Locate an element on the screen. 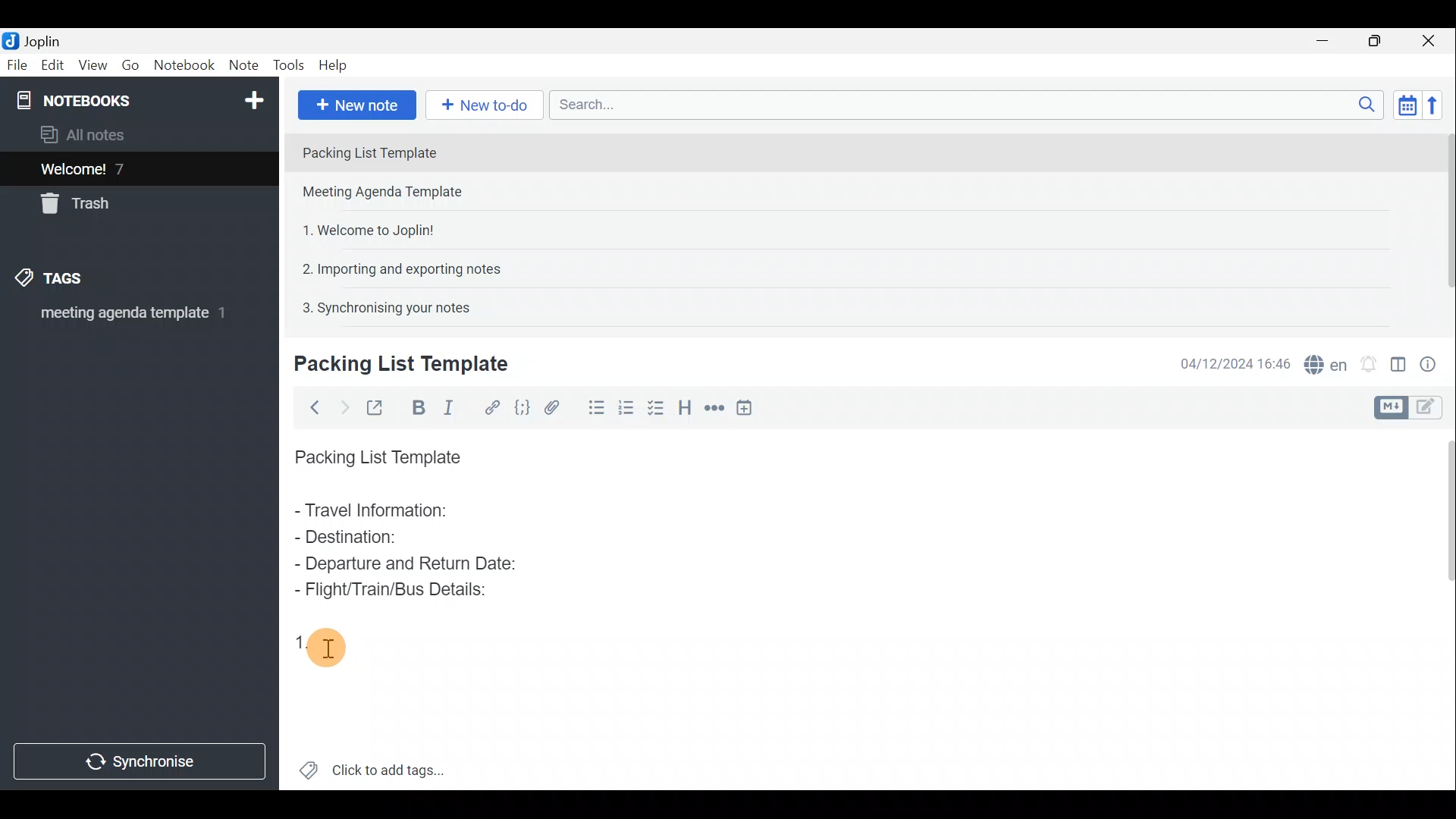 Image resolution: width=1456 pixels, height=819 pixels. Scroll bar is located at coordinates (1442, 221).